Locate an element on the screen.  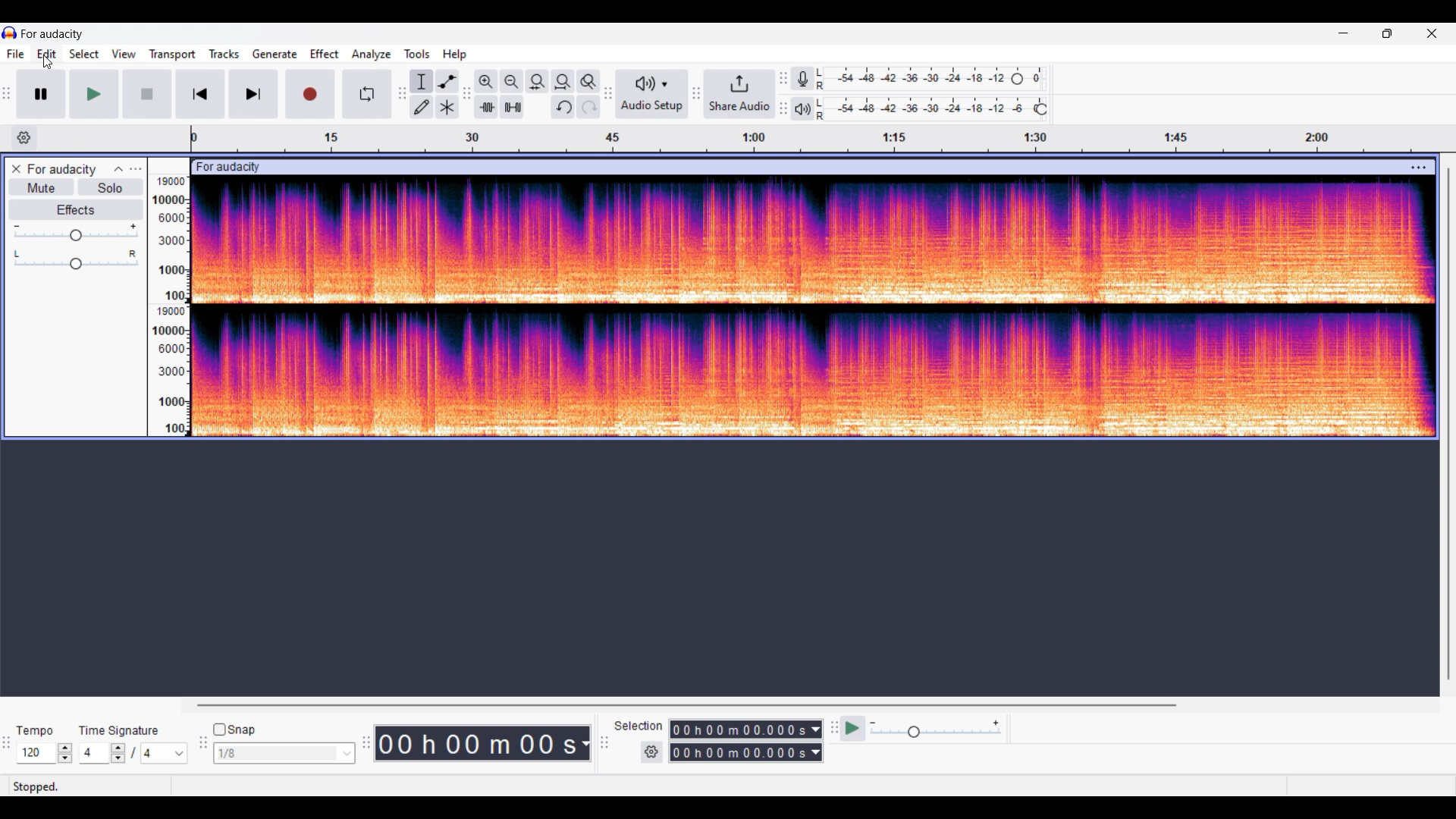
Playback level is located at coordinates (930, 108).